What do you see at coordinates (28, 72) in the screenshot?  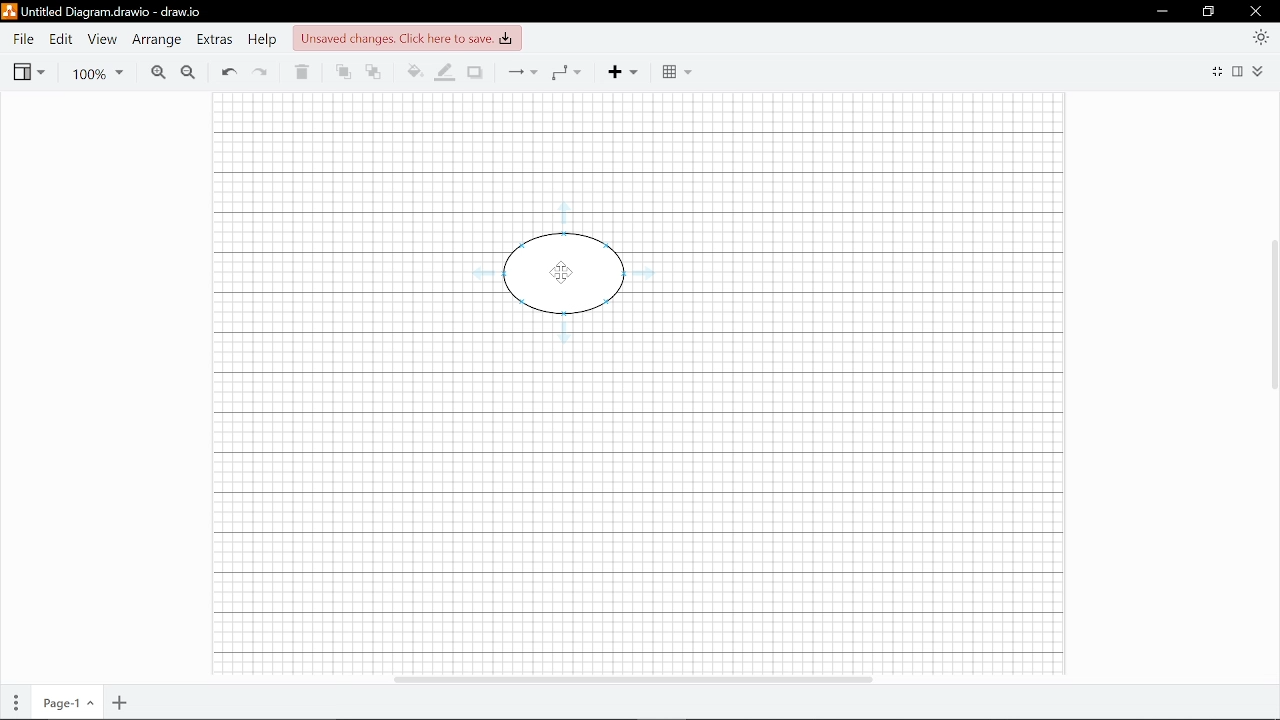 I see `View` at bounding box center [28, 72].